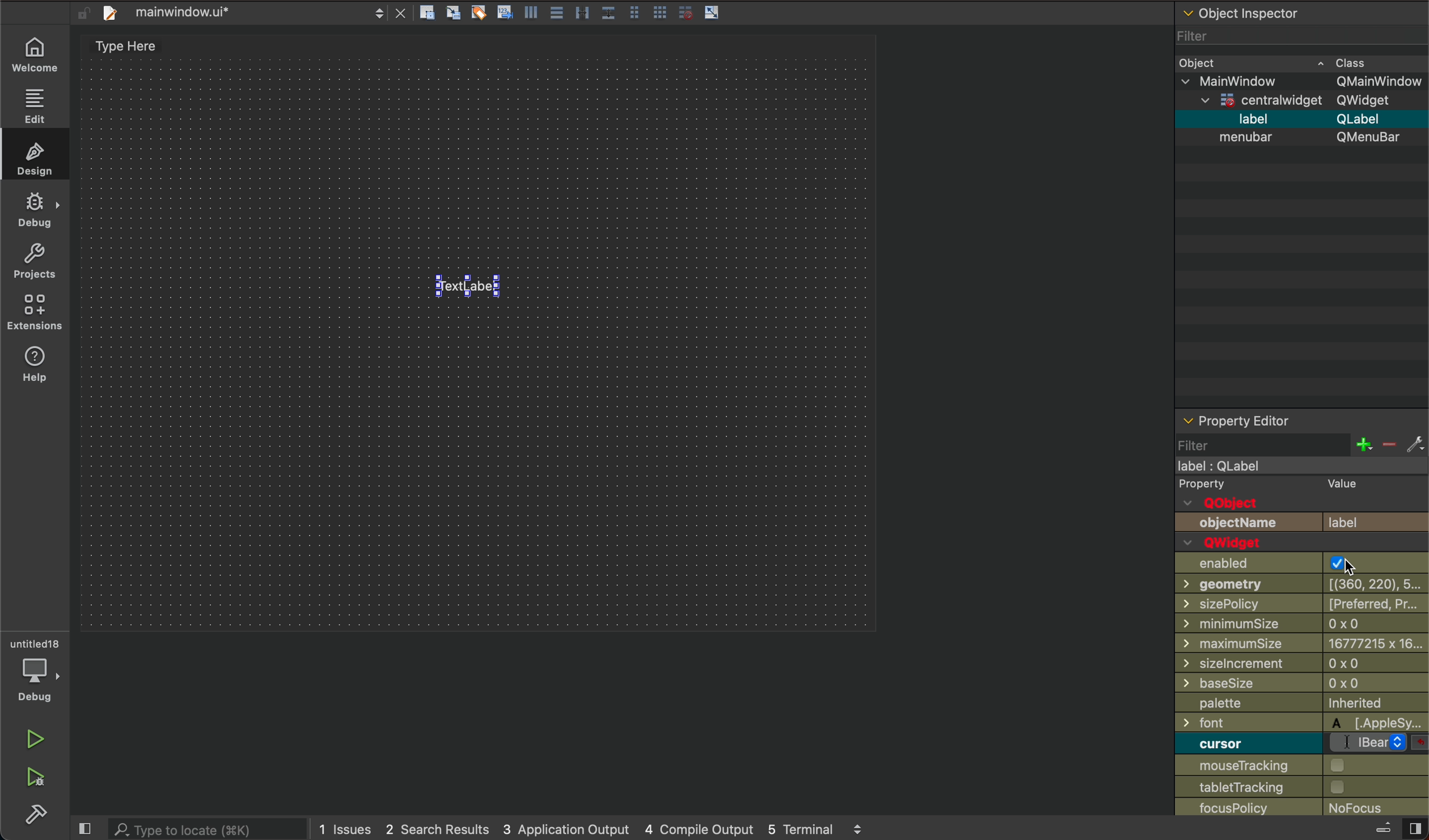  I want to click on object inspector, so click(1303, 14).